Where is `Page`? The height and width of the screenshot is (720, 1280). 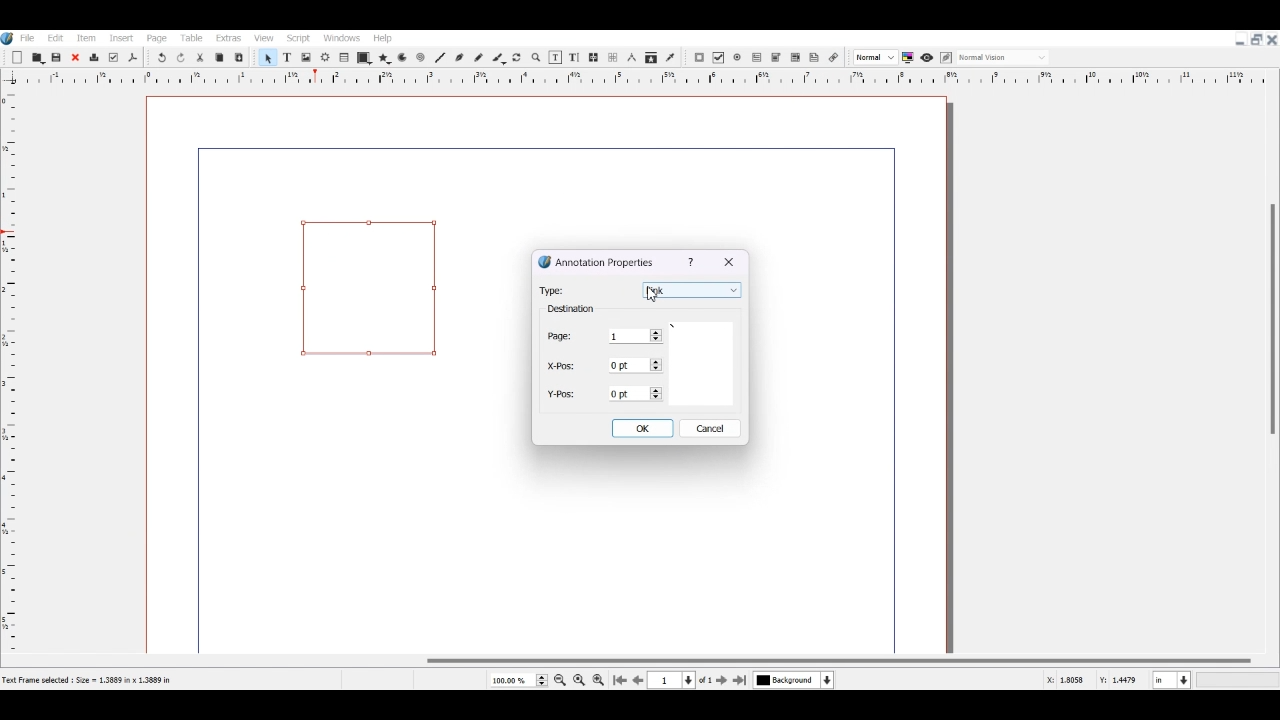 Page is located at coordinates (157, 38).